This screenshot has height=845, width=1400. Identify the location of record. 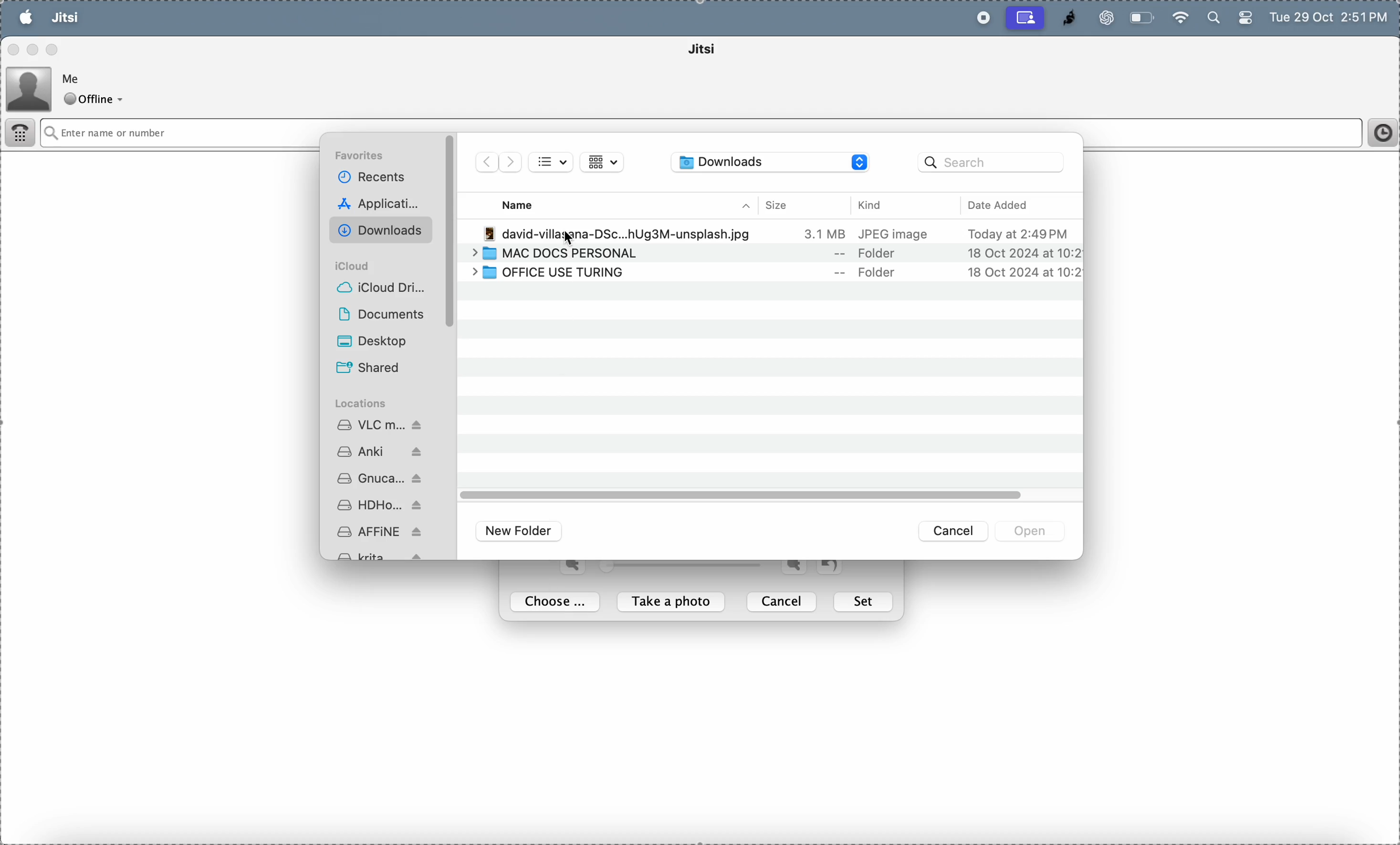
(980, 18).